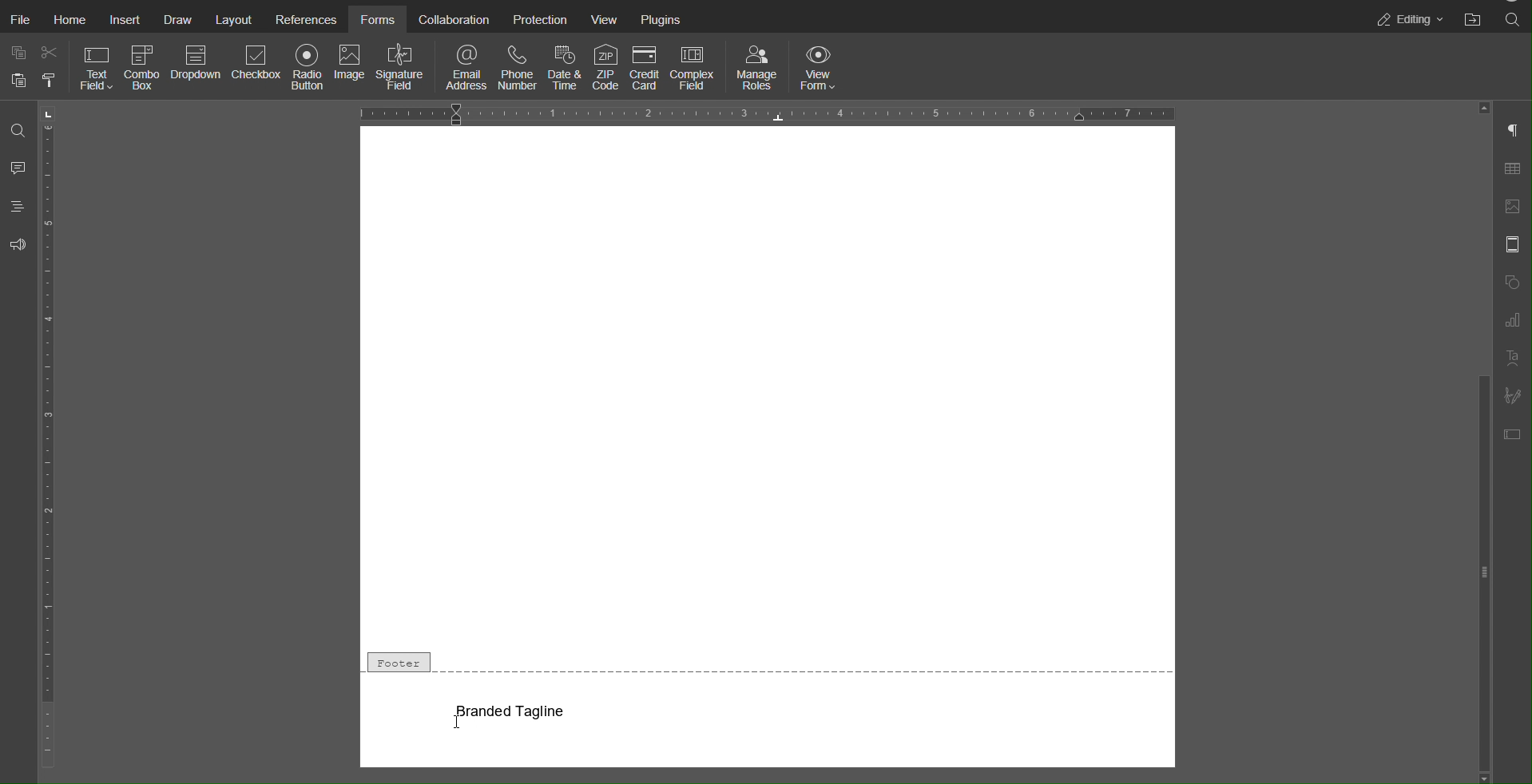  What do you see at coordinates (605, 18) in the screenshot?
I see `View` at bounding box center [605, 18].